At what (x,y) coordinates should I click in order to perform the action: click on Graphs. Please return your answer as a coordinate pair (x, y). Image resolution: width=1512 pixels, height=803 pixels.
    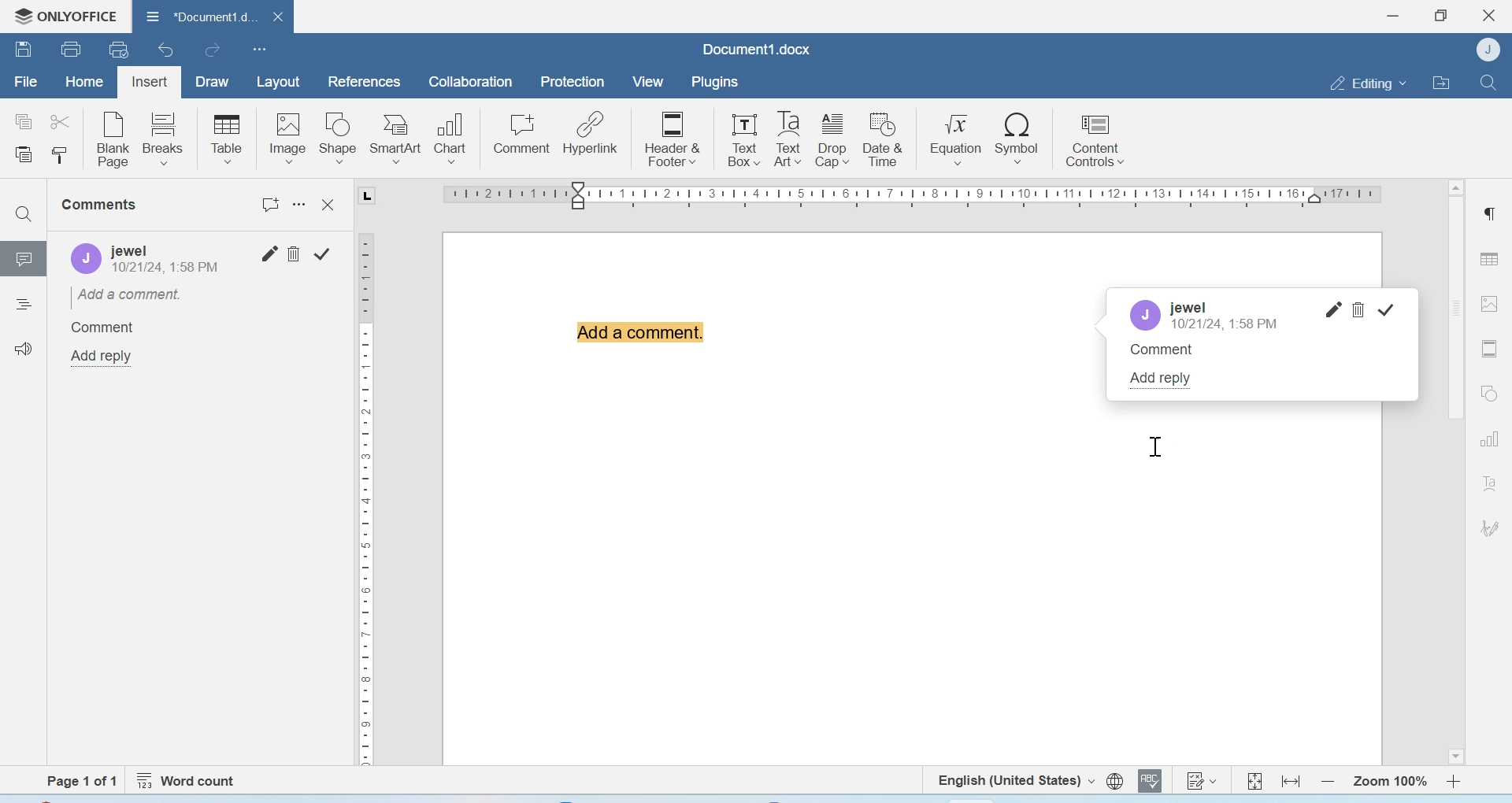
    Looking at the image, I should click on (1489, 439).